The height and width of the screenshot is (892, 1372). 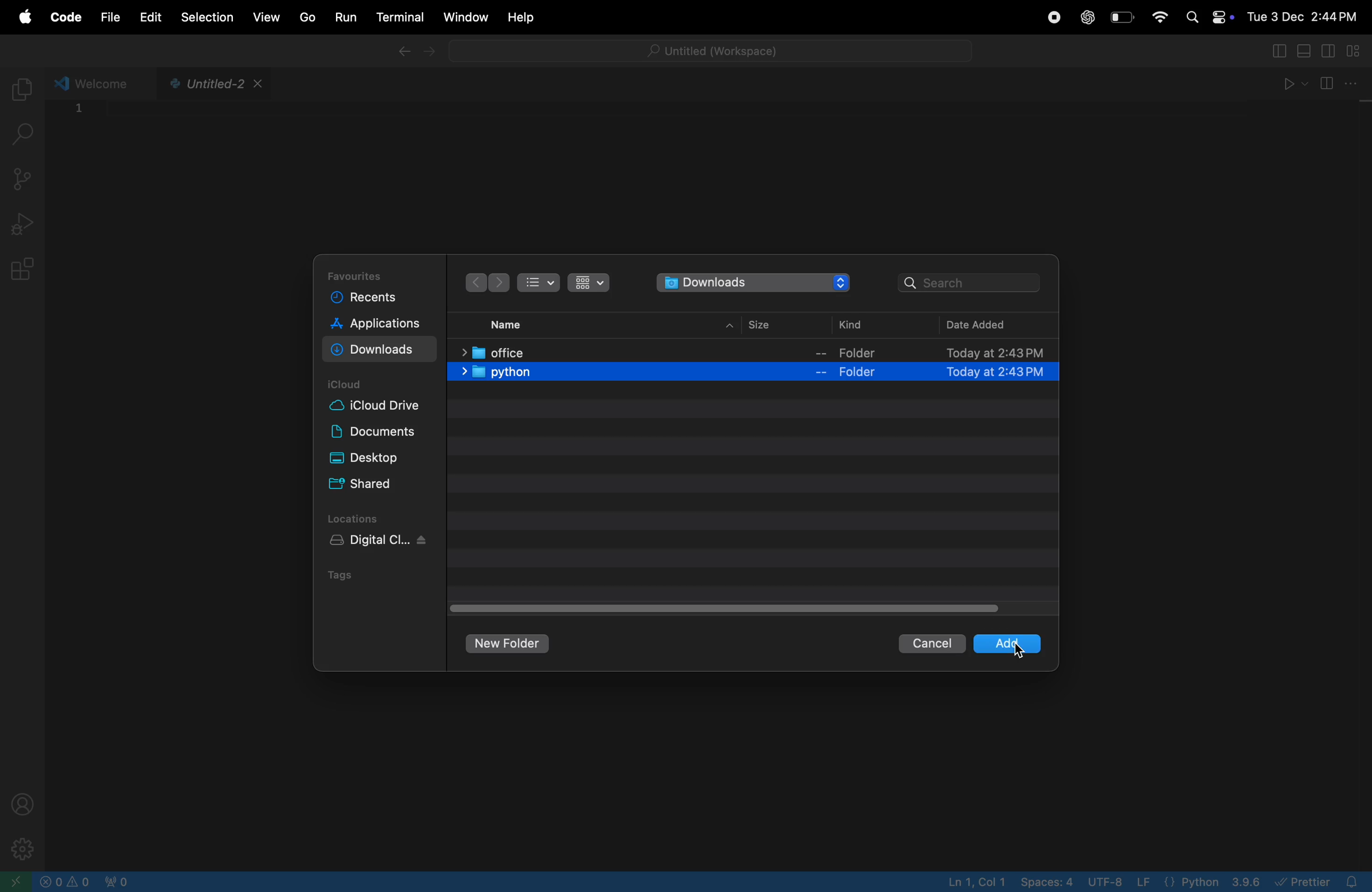 I want to click on recents, so click(x=376, y=299).